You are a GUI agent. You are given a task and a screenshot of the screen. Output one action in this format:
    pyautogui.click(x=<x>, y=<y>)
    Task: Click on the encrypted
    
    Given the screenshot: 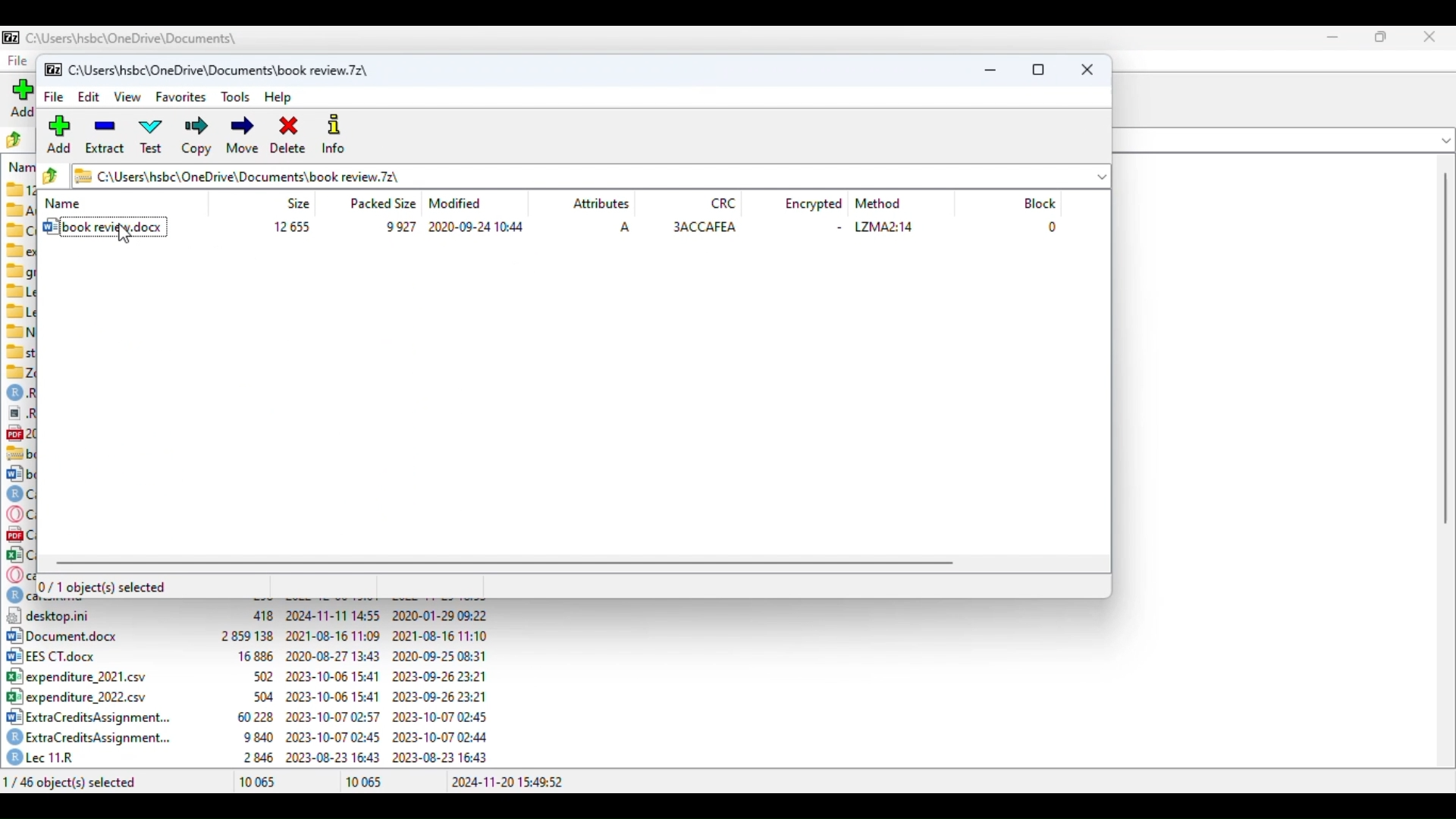 What is the action you would take?
    pyautogui.click(x=814, y=203)
    